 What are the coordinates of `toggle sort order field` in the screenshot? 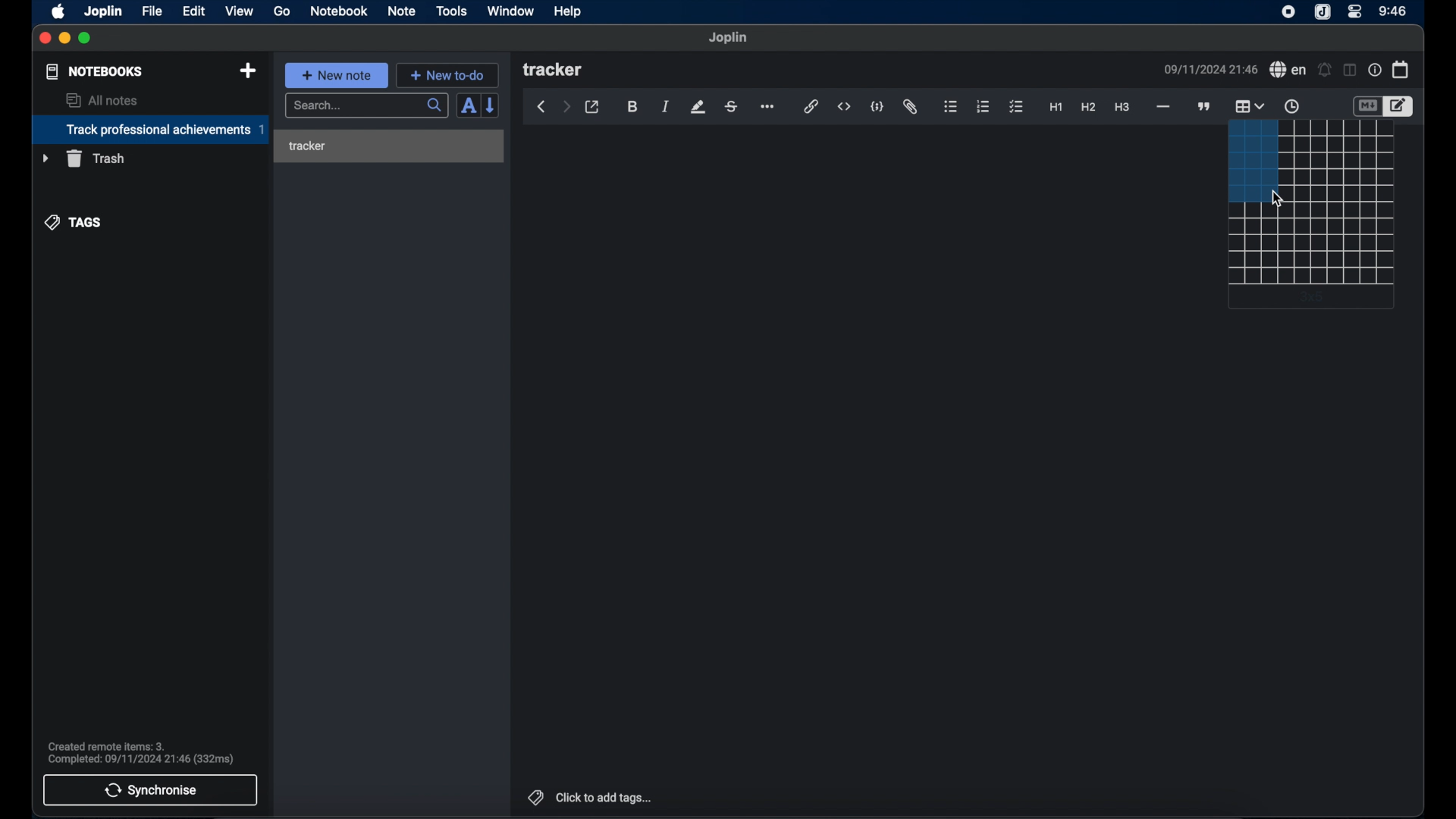 It's located at (466, 107).